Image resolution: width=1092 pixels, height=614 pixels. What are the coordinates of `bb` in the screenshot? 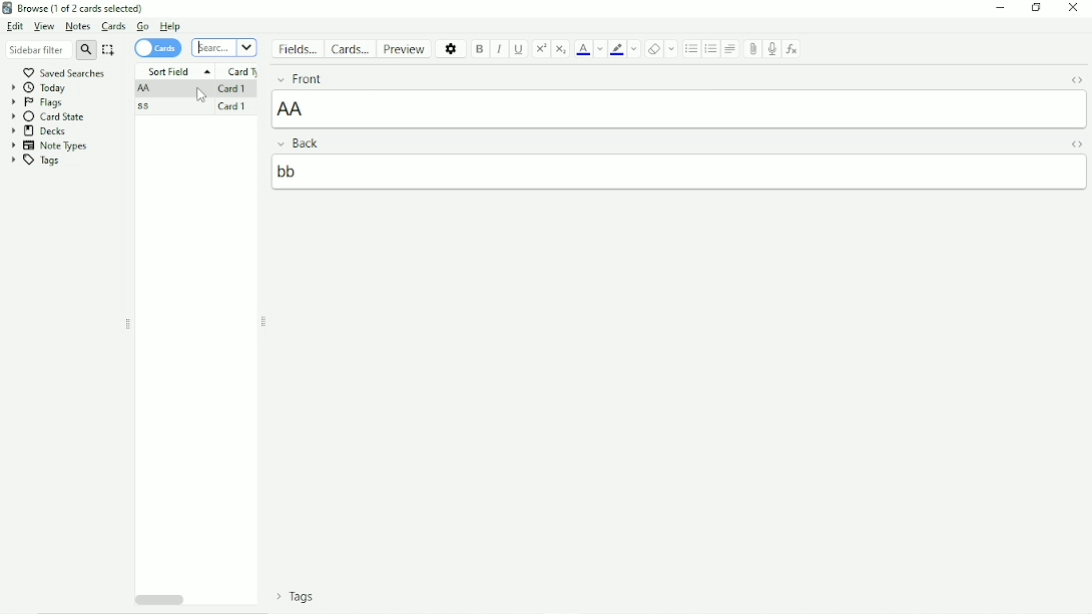 It's located at (680, 171).